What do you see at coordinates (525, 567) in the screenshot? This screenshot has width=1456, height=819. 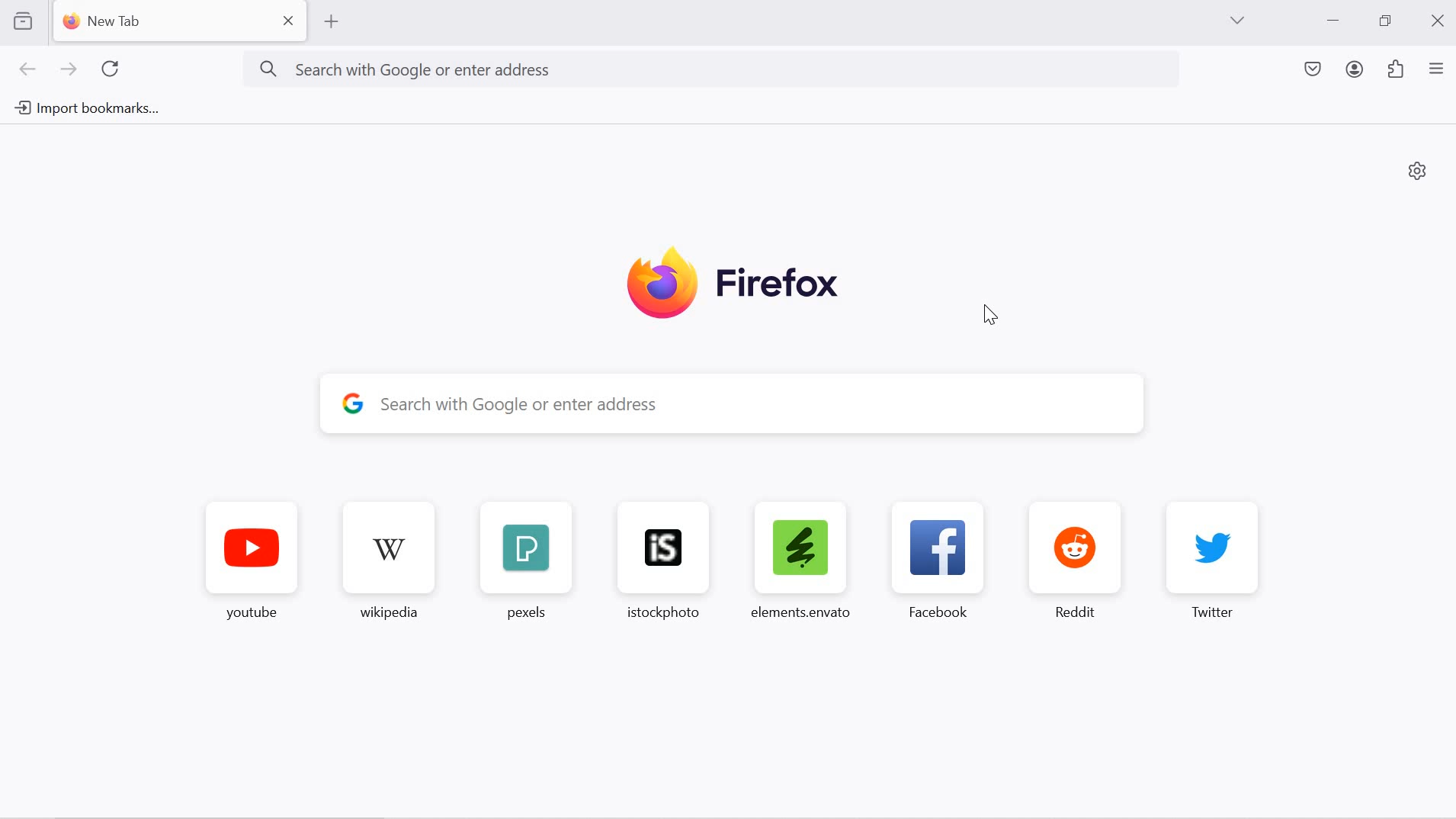 I see `pexels` at bounding box center [525, 567].